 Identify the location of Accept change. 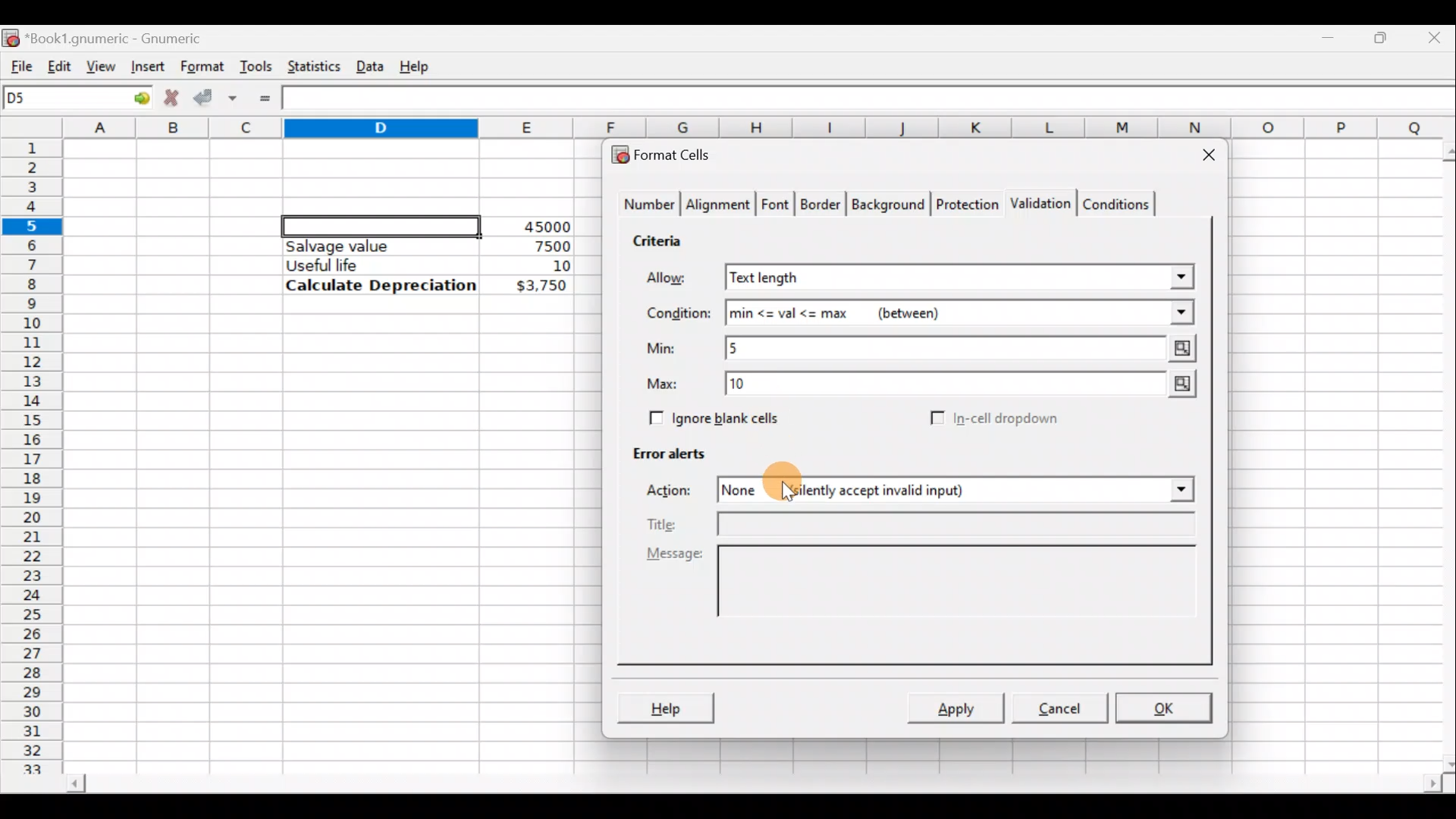
(215, 96).